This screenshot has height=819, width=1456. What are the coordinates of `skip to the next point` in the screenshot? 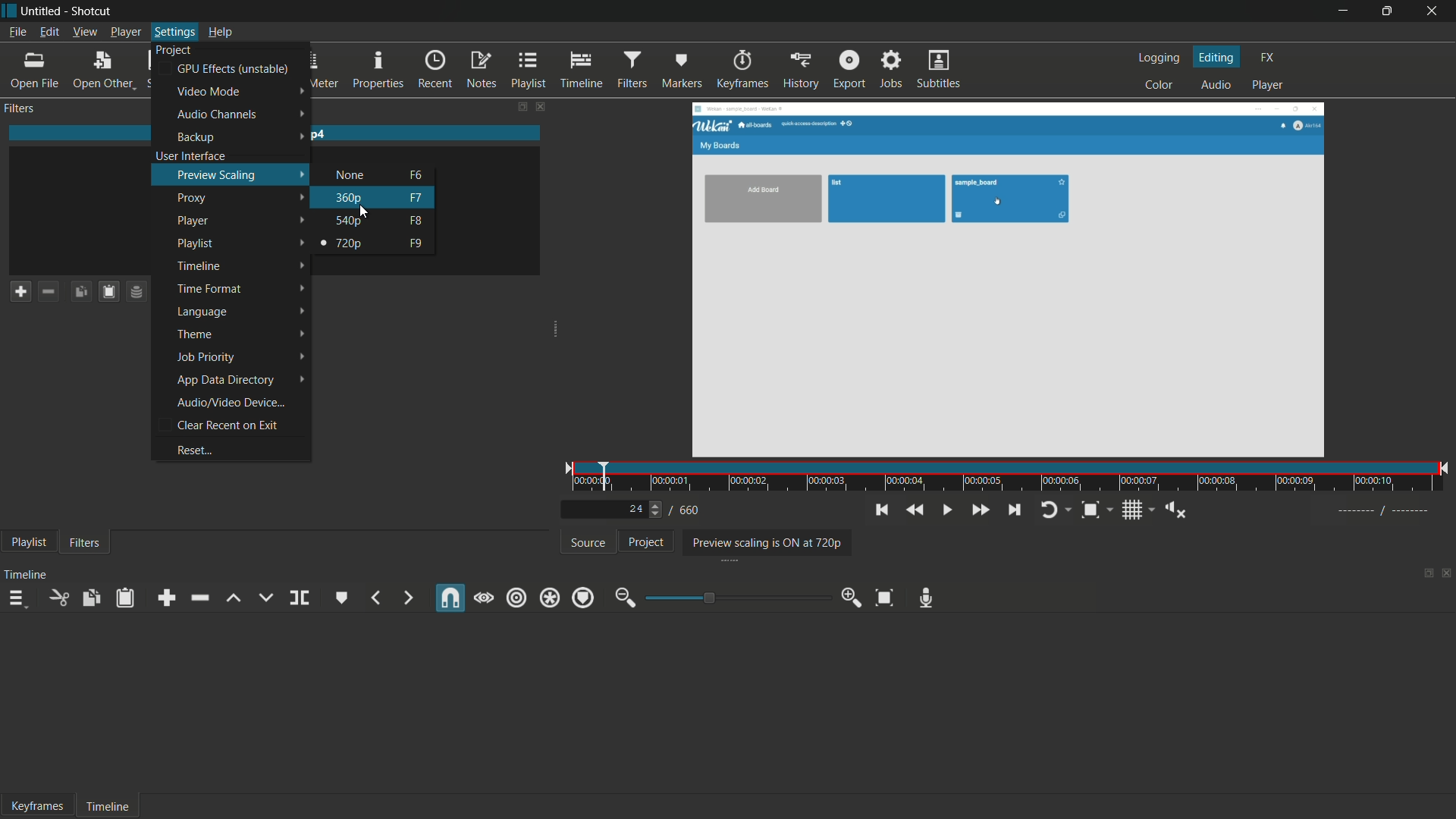 It's located at (1016, 510).